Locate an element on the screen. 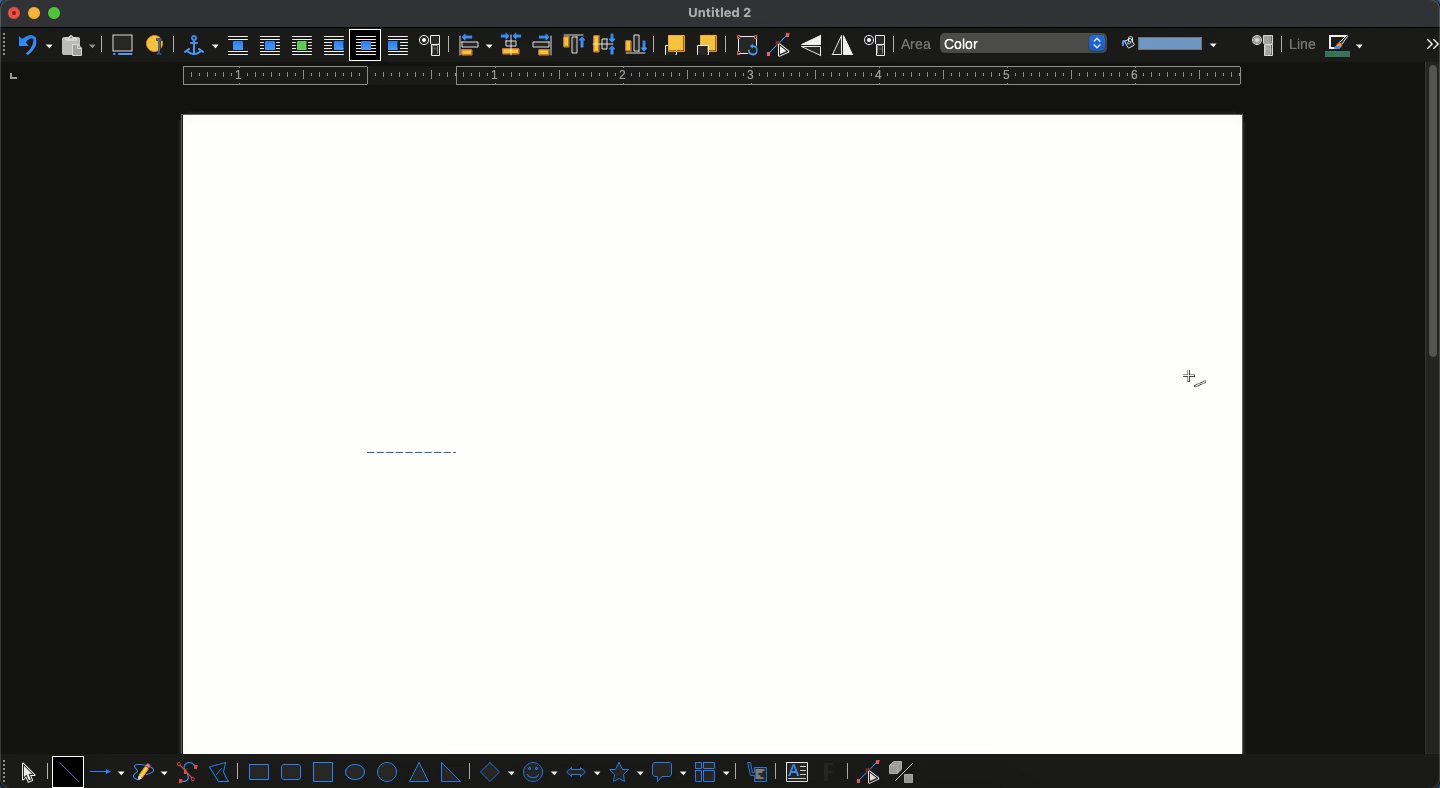 The width and height of the screenshot is (1440, 788). close is located at coordinates (13, 13).